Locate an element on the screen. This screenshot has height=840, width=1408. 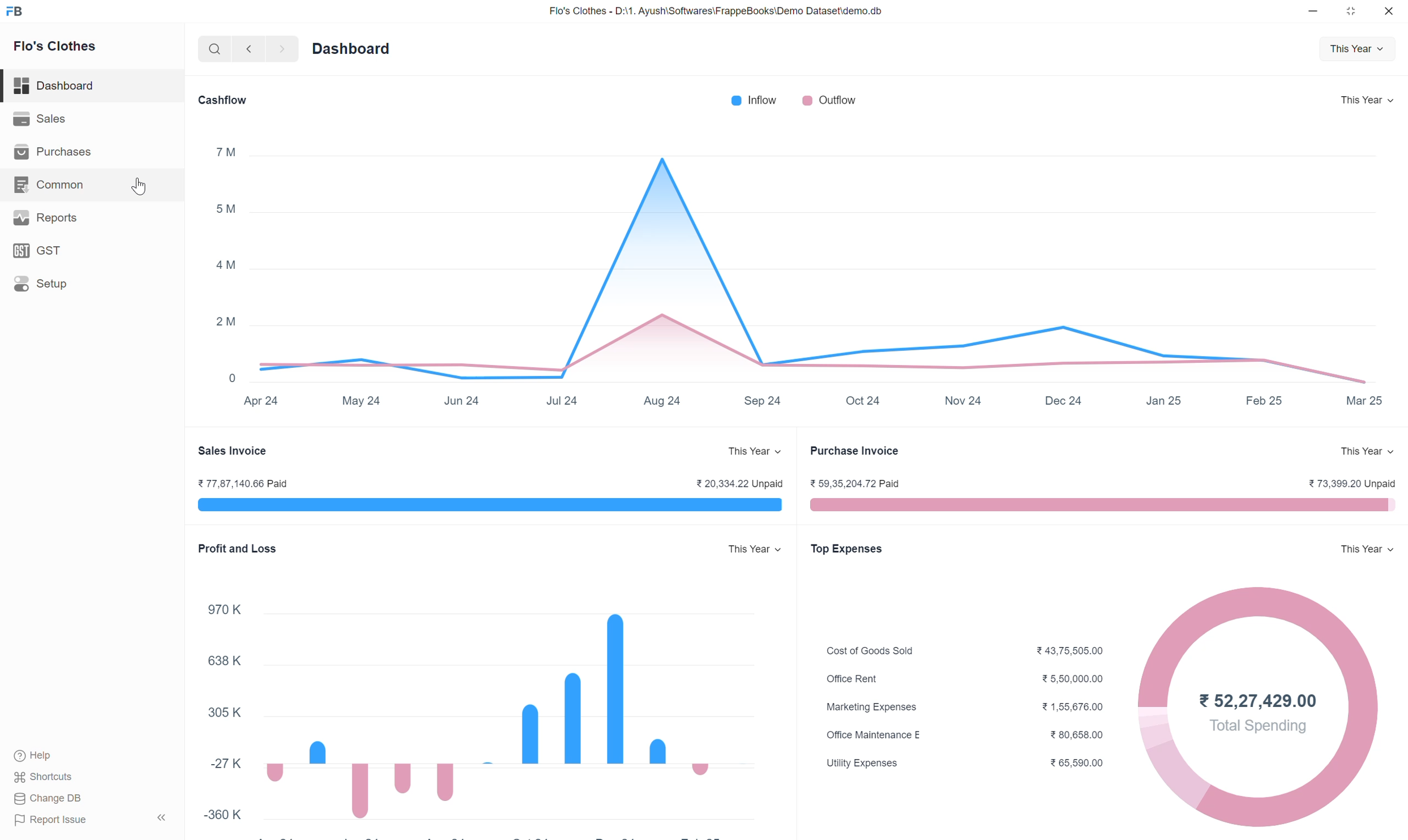
Frappebooks is located at coordinates (20, 11).